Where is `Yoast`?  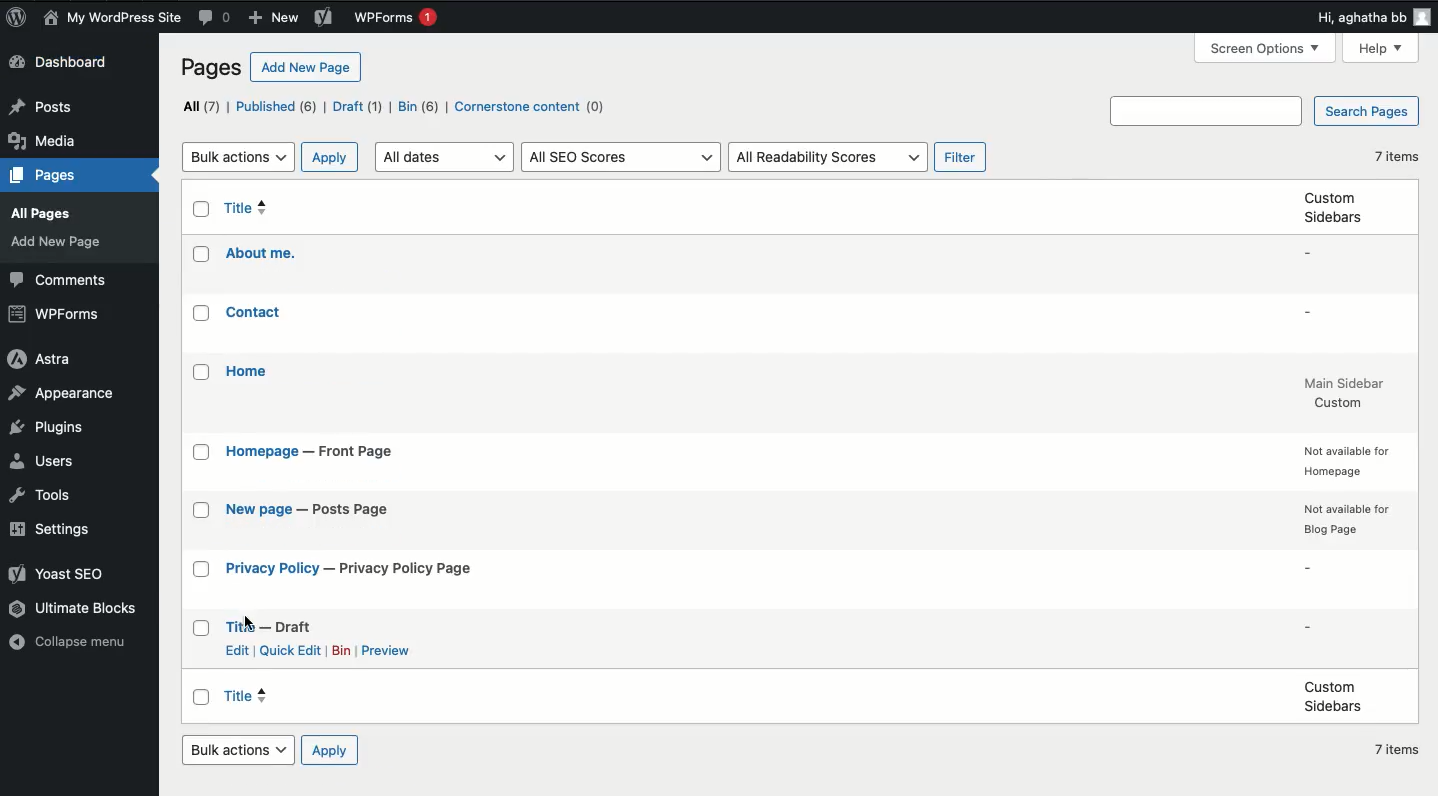 Yoast is located at coordinates (322, 18).